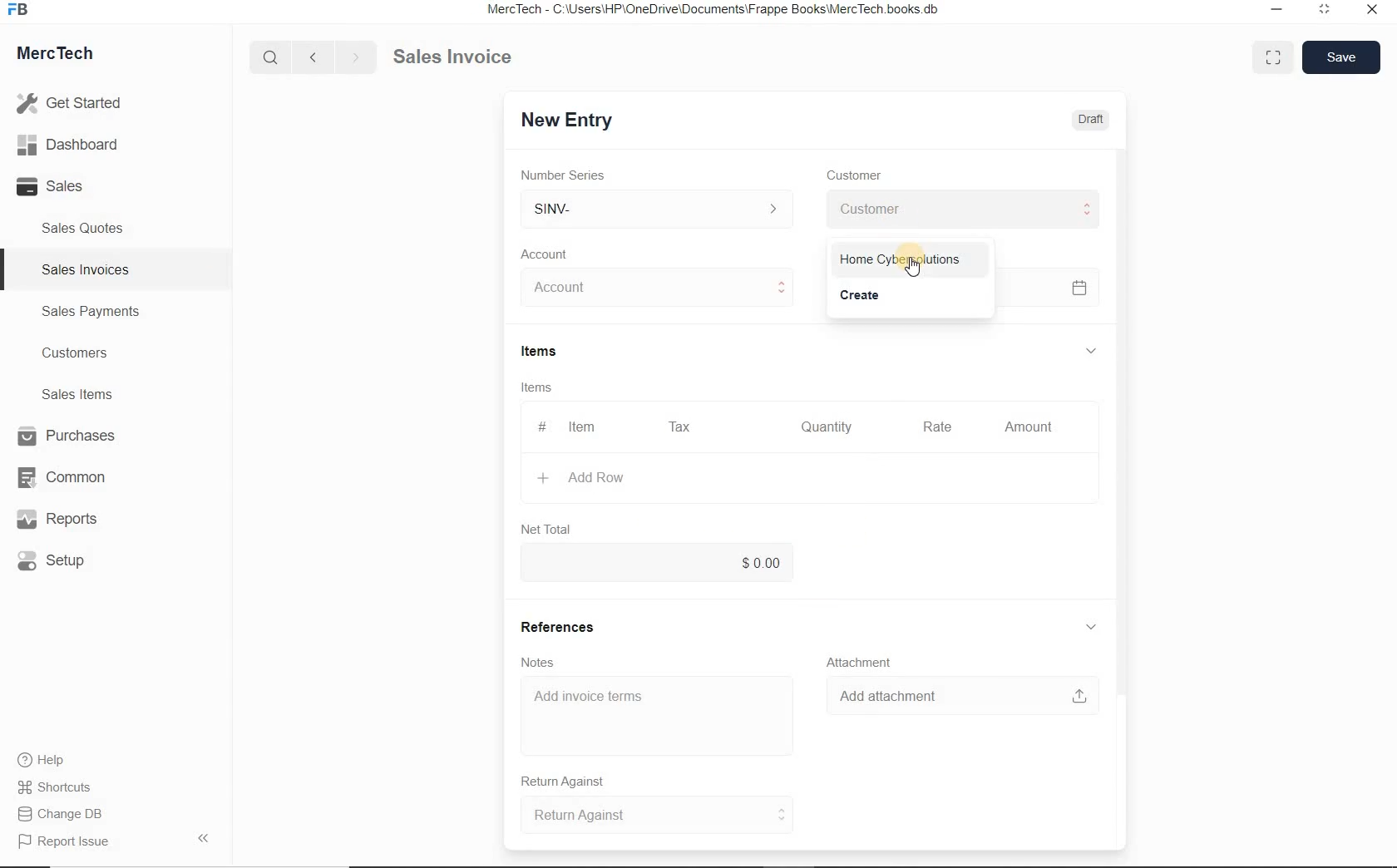  Describe the element at coordinates (315, 57) in the screenshot. I see `Go back` at that location.